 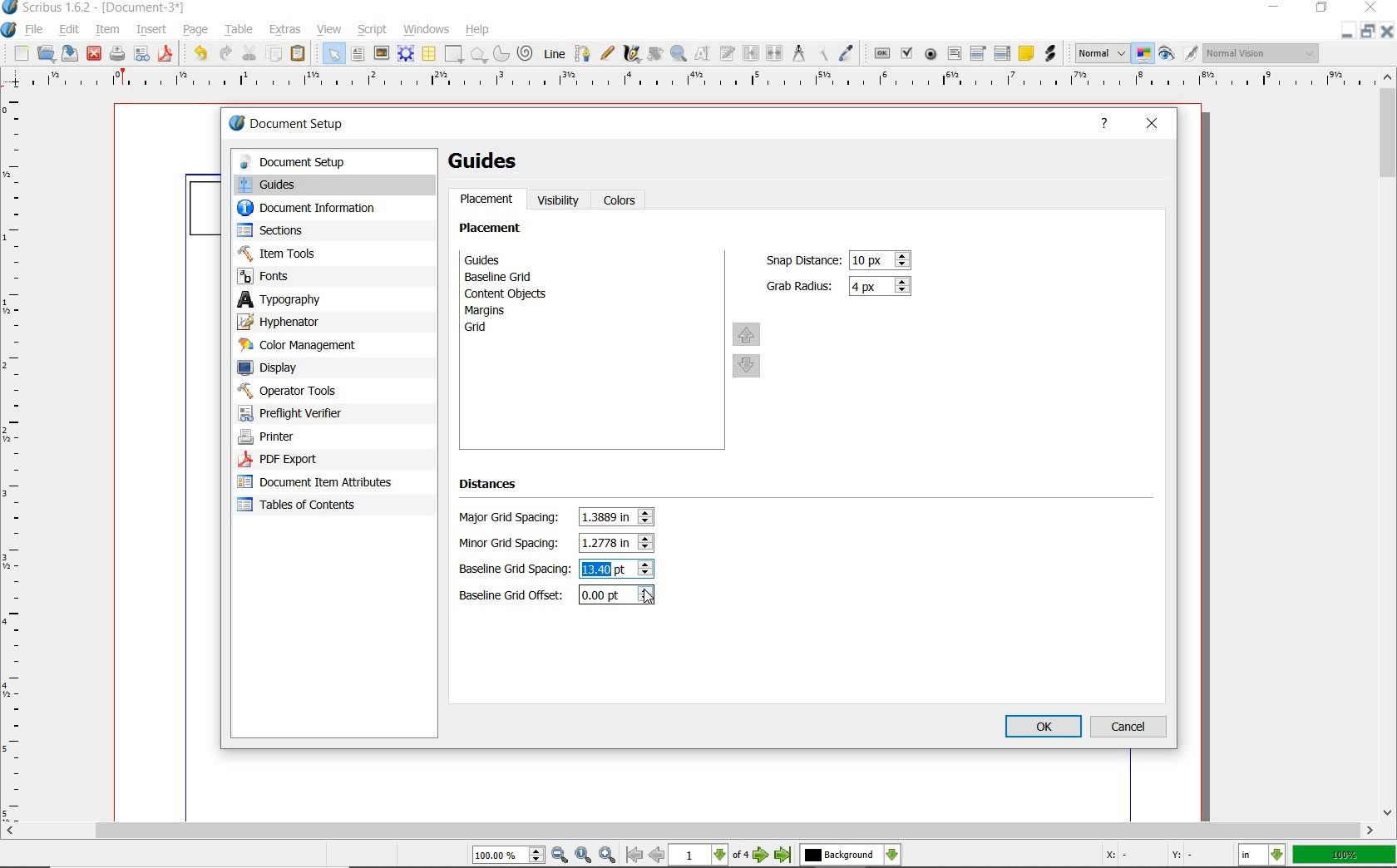 I want to click on cut, so click(x=249, y=53).